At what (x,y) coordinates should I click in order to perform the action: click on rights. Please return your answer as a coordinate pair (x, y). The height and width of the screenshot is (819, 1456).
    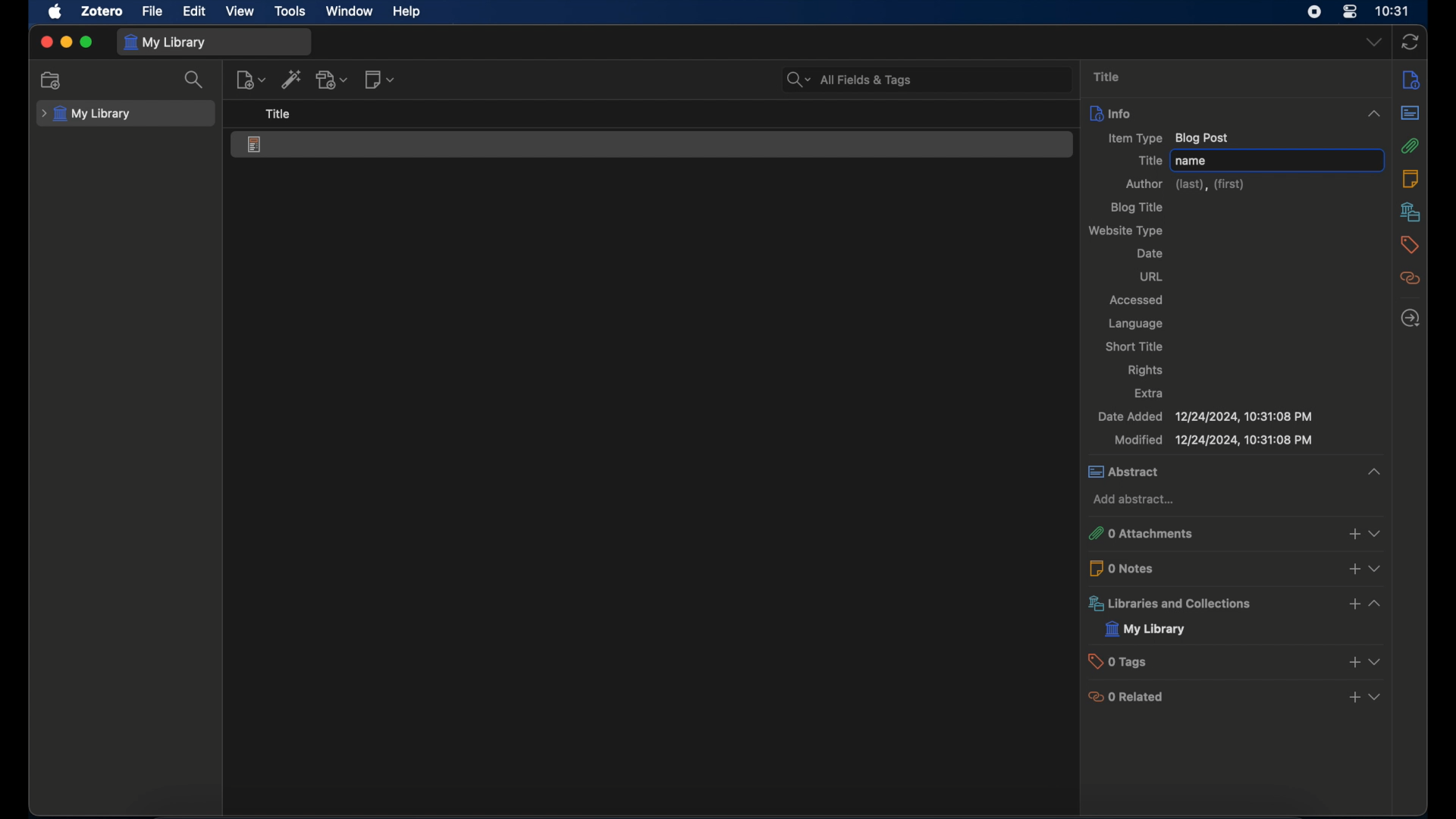
    Looking at the image, I should click on (1145, 371).